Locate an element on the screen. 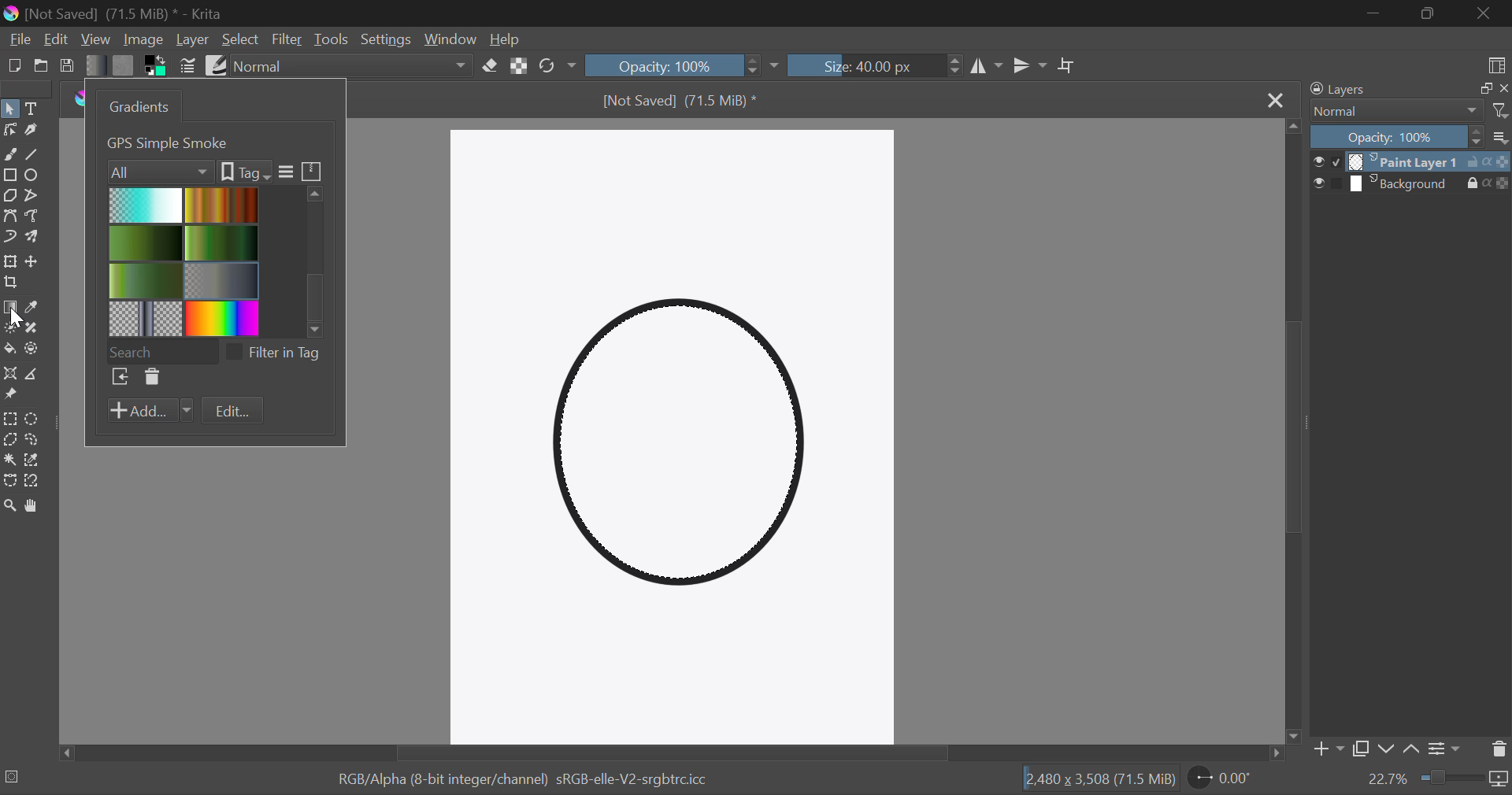  Brush Presets is located at coordinates (219, 67).